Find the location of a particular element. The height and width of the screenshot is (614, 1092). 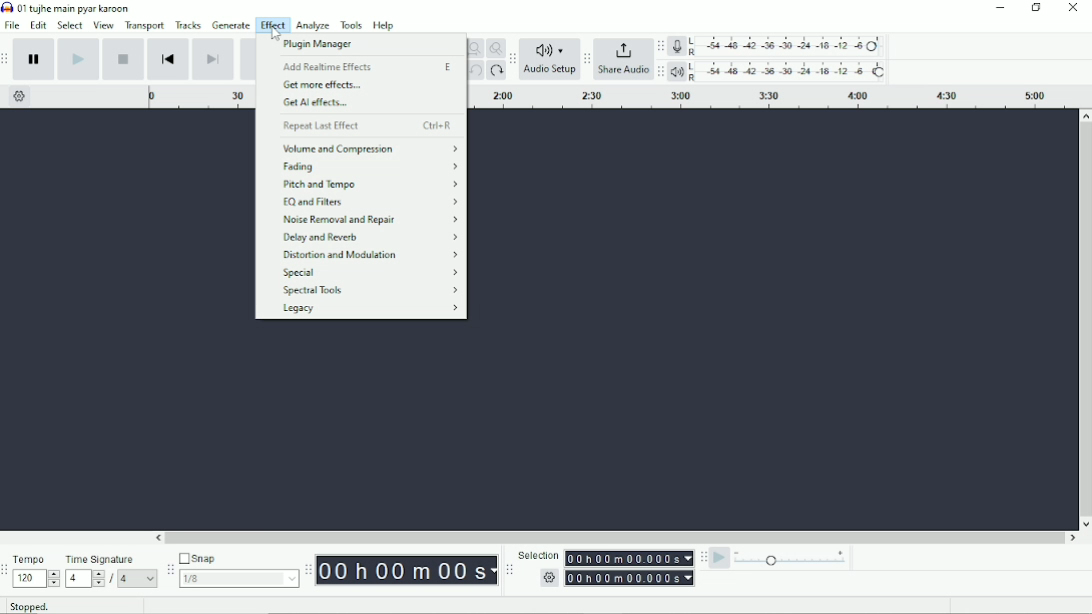

Edit is located at coordinates (39, 25).